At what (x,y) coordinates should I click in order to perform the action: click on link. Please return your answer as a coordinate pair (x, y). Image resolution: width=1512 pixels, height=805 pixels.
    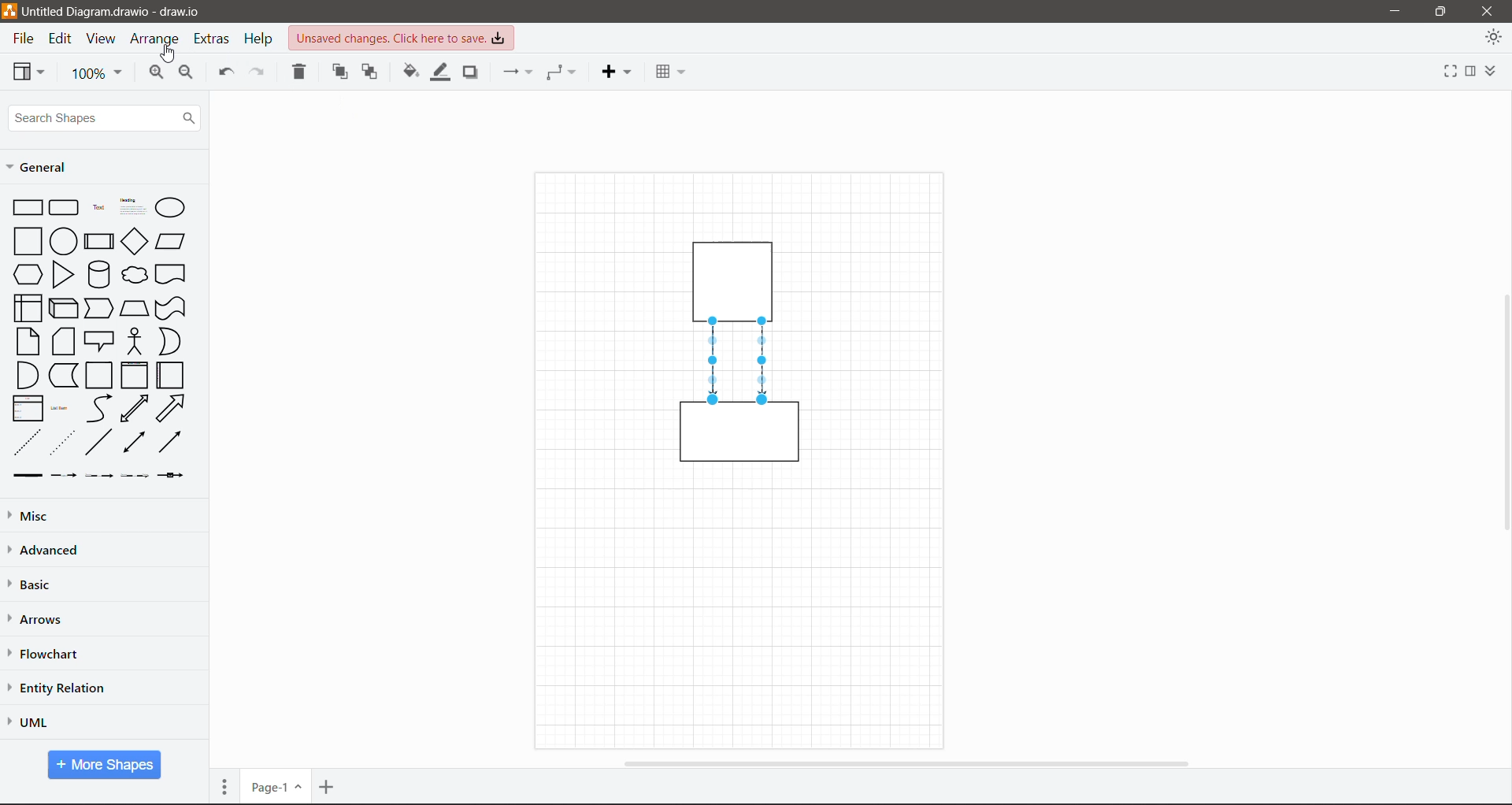
    Looking at the image, I should click on (24, 476).